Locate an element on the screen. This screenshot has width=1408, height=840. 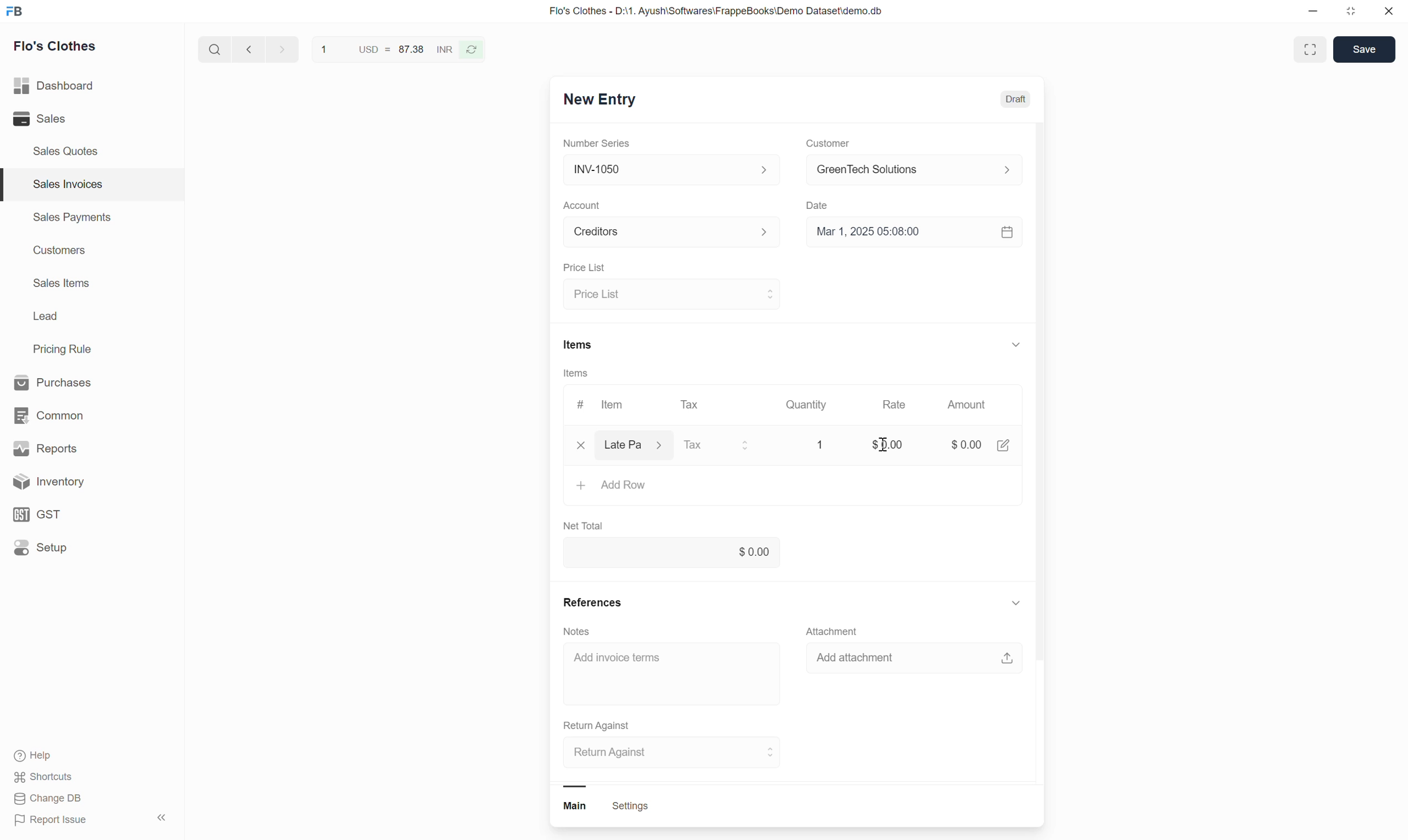
Dashboard  is located at coordinates (74, 86).